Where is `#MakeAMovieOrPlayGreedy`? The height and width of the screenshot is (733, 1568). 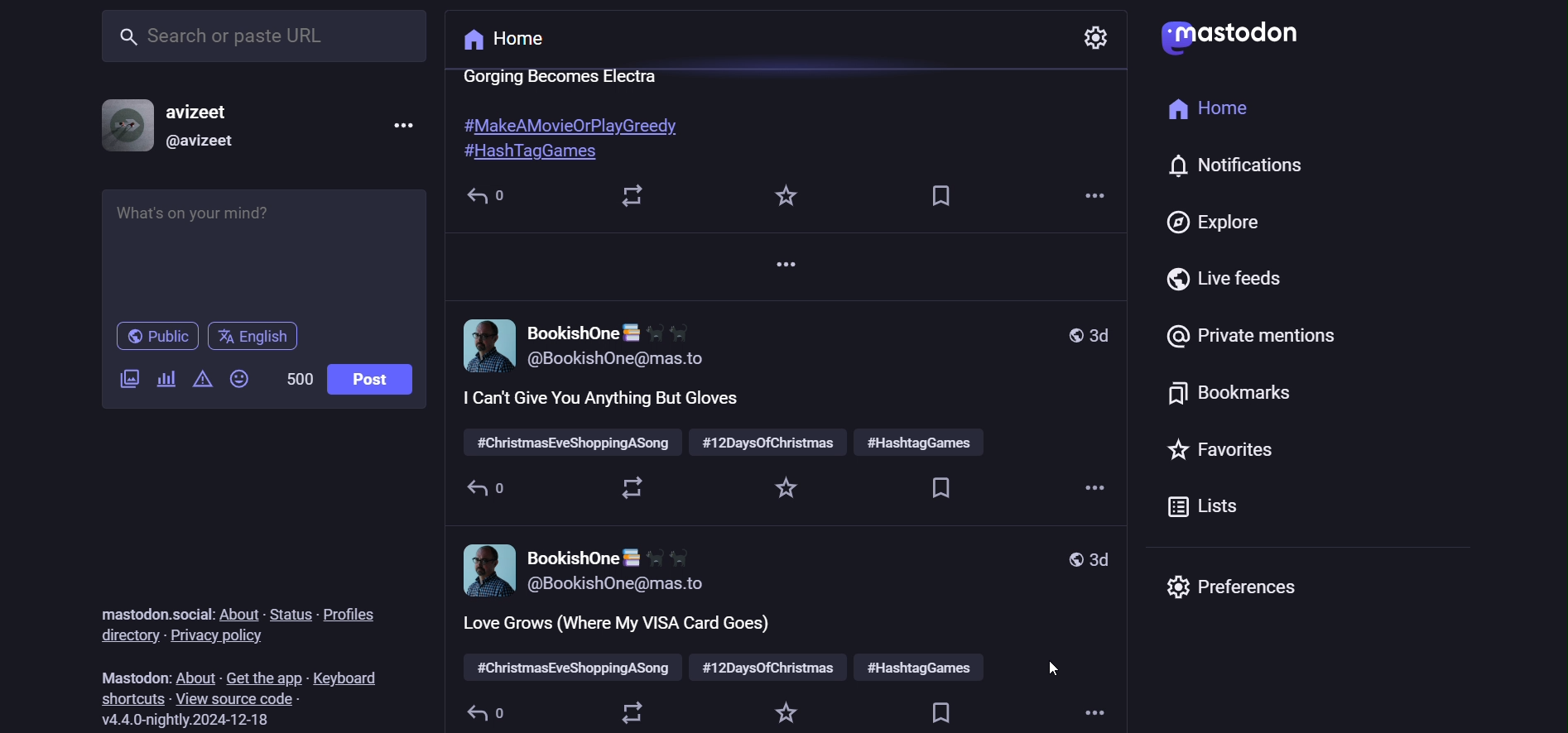
#MakeAMovieOrPlayGreedy is located at coordinates (566, 123).